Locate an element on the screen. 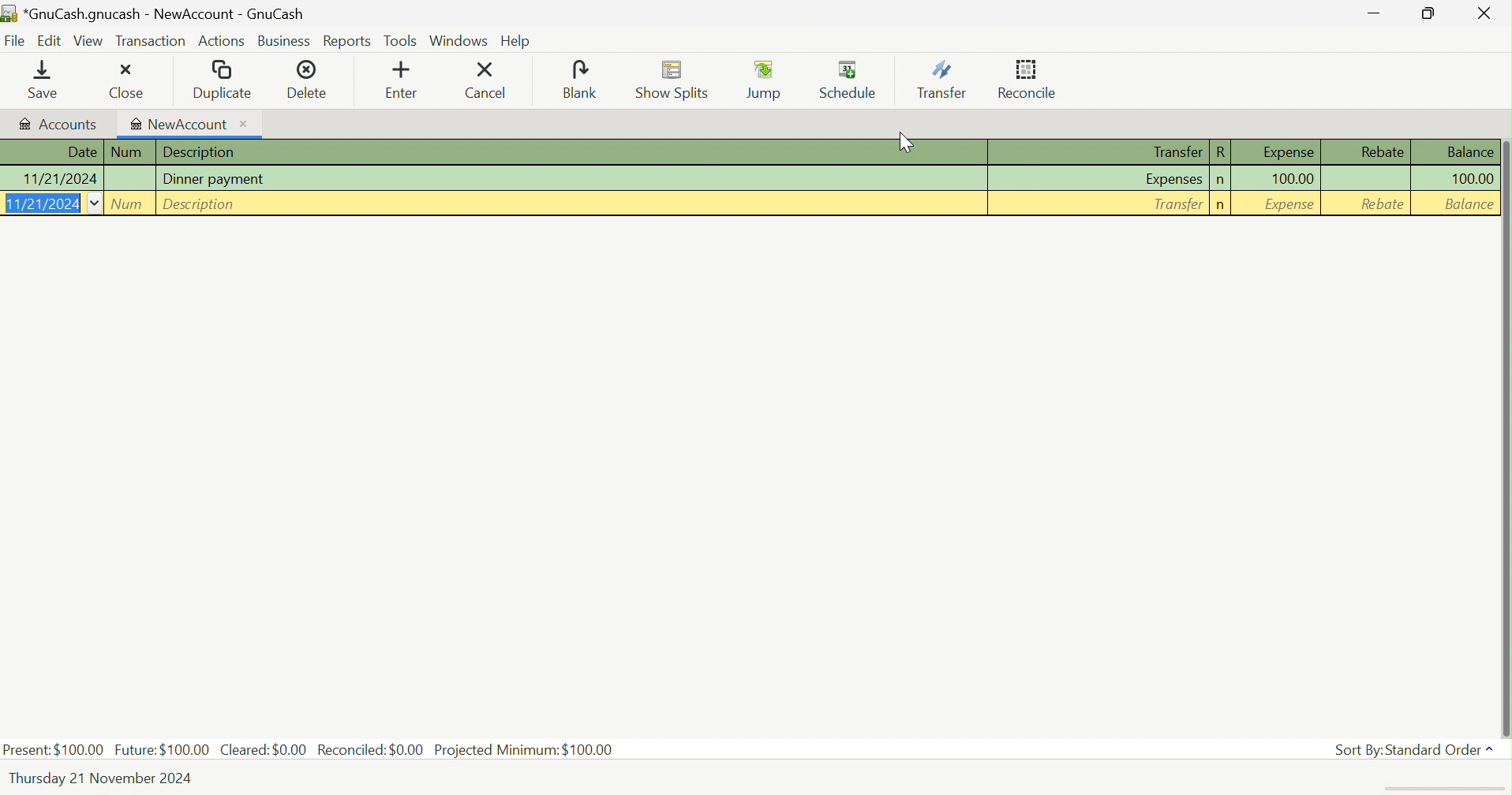  Schedule is located at coordinates (849, 77).